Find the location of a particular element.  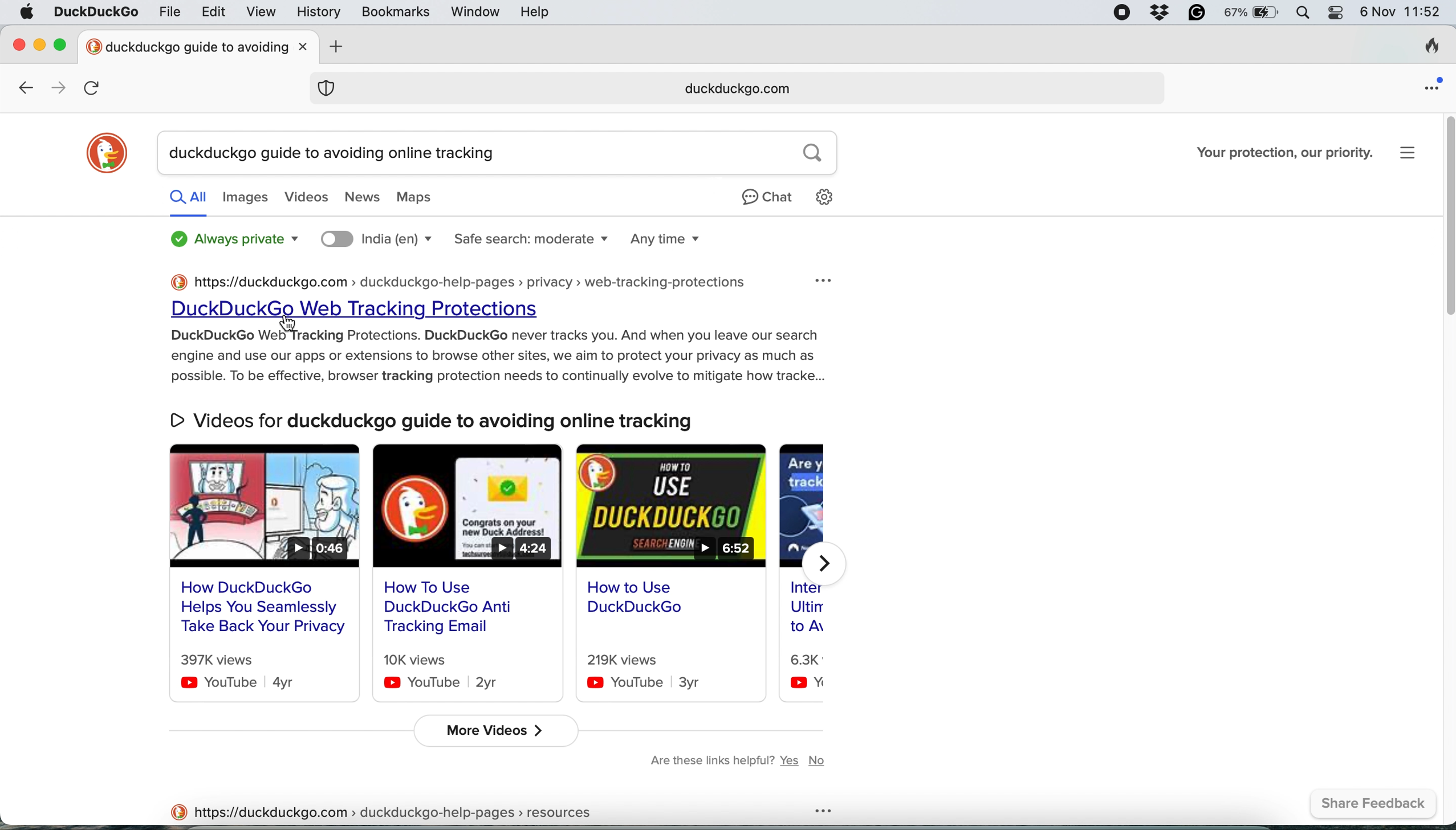

window is located at coordinates (471, 11).